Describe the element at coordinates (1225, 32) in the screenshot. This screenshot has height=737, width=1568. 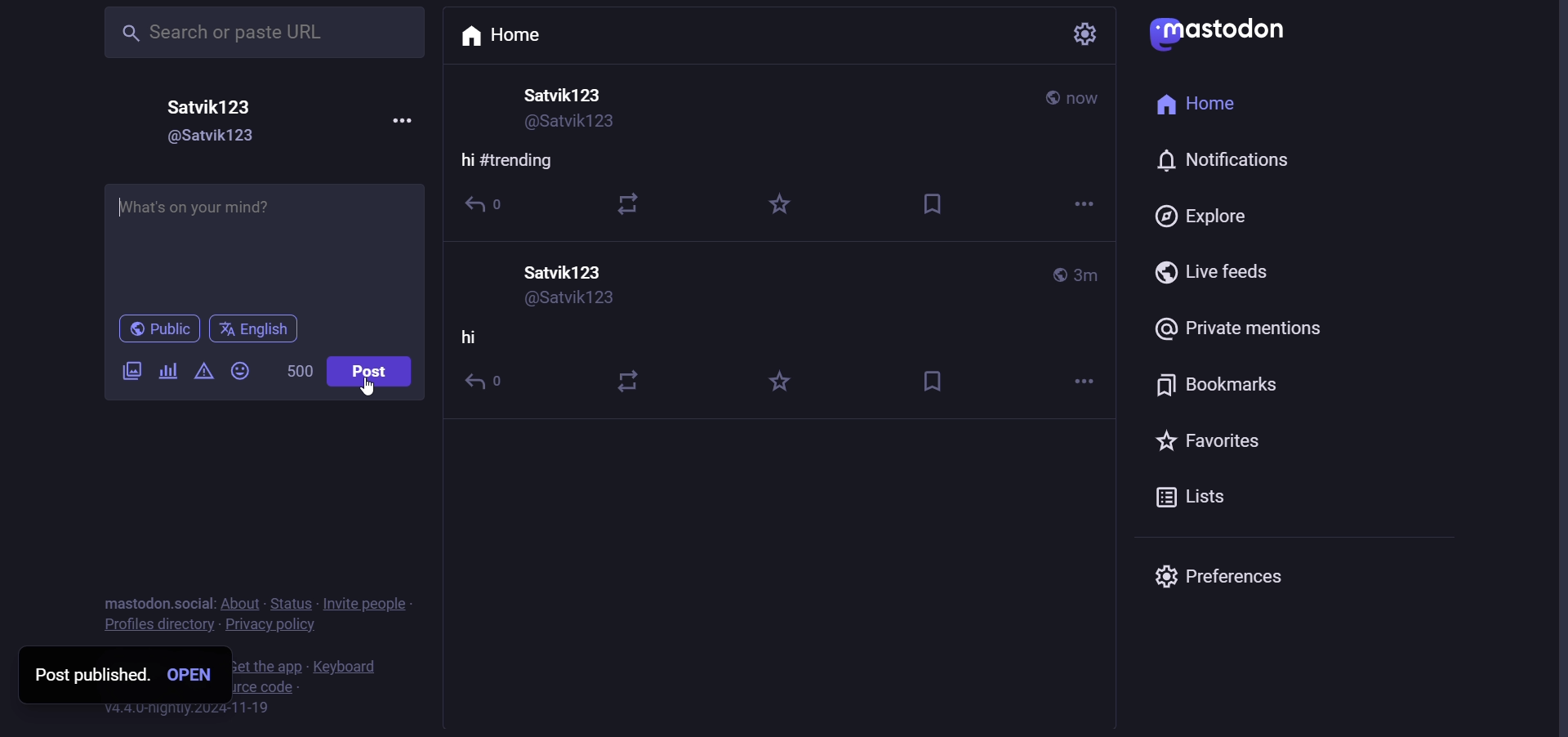
I see `mastodon` at that location.